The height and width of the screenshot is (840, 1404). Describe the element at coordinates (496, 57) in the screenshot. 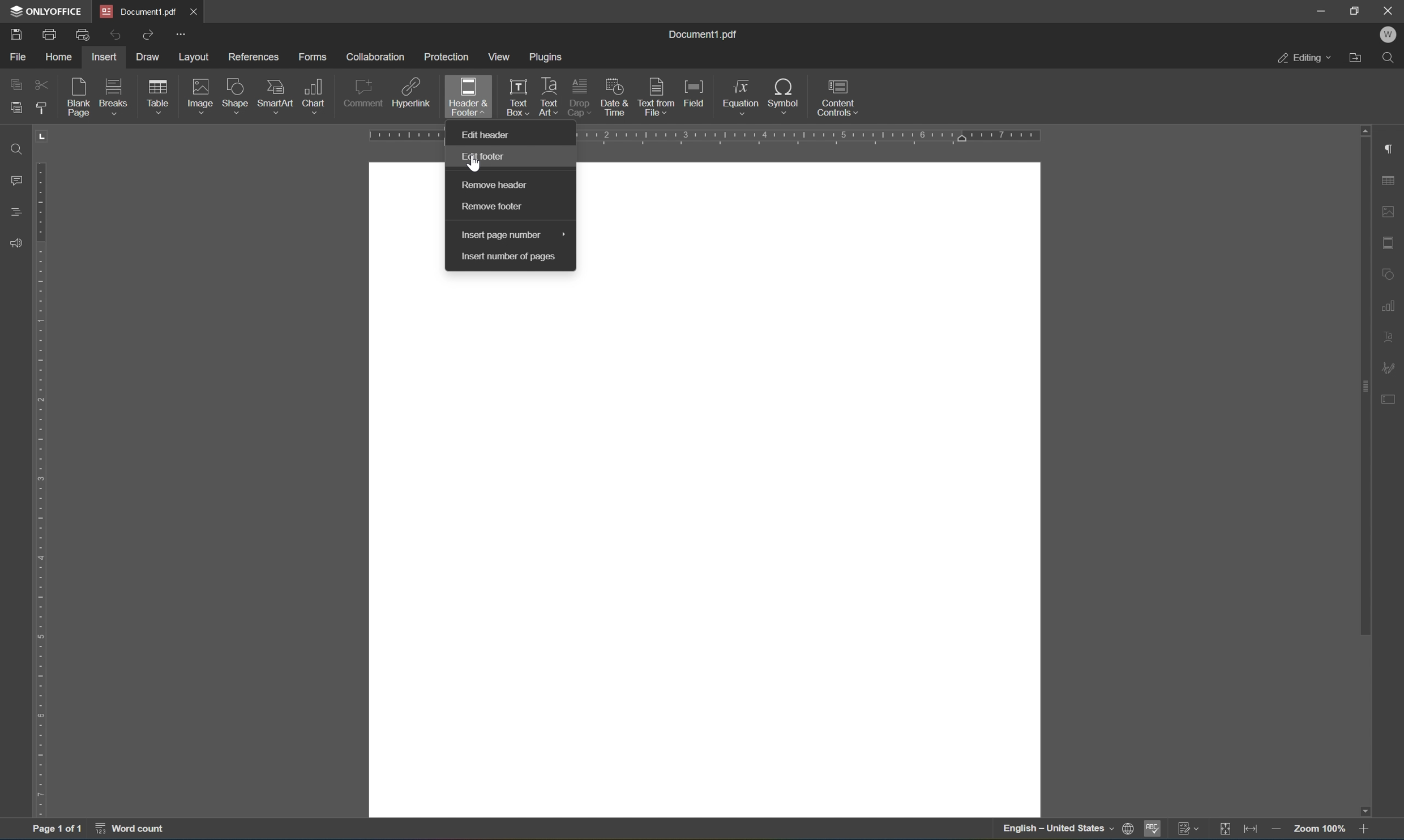

I see `view` at that location.